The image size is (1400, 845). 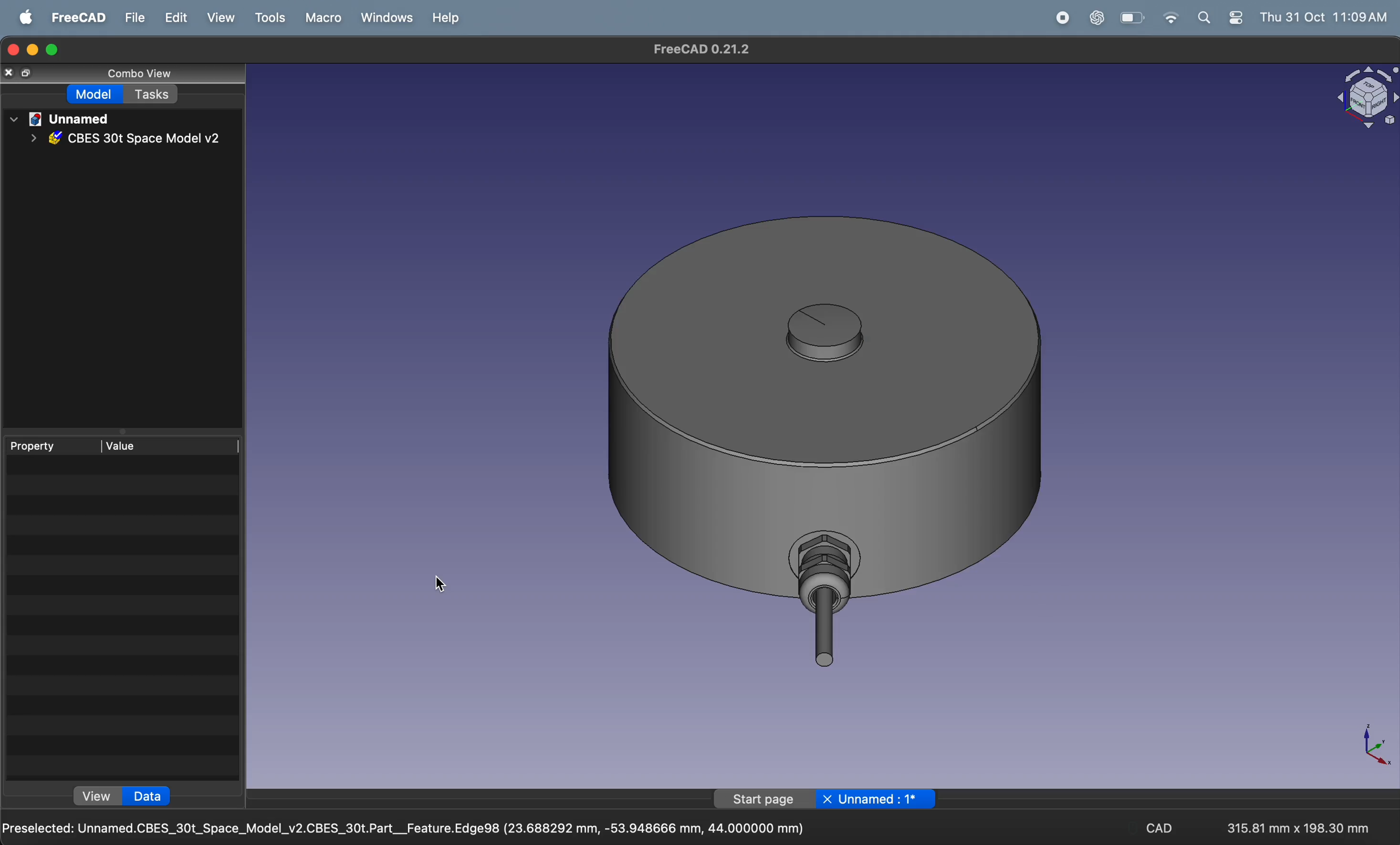 I want to click on help, so click(x=450, y=16).